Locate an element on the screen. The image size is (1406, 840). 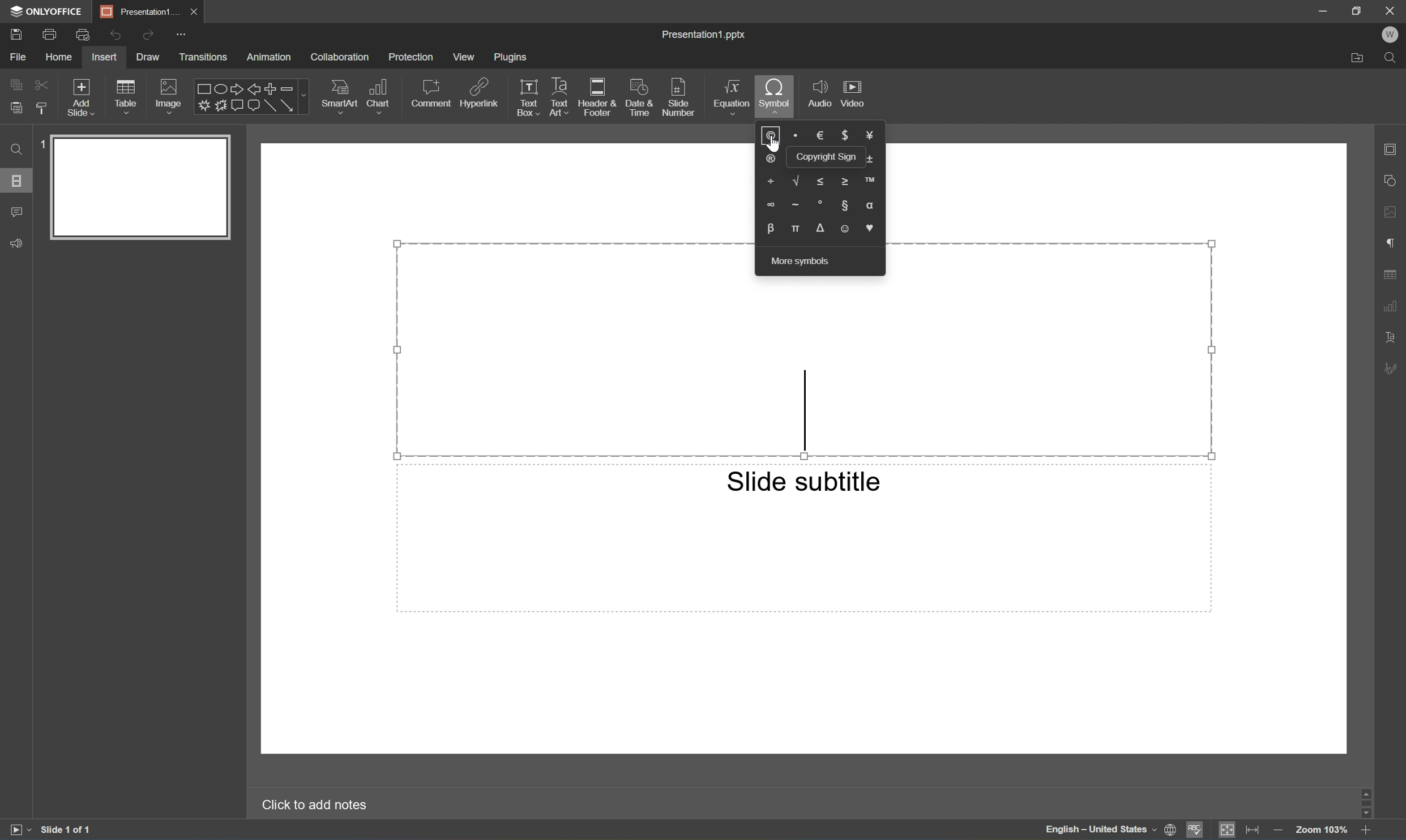
Text Art is located at coordinates (557, 96).